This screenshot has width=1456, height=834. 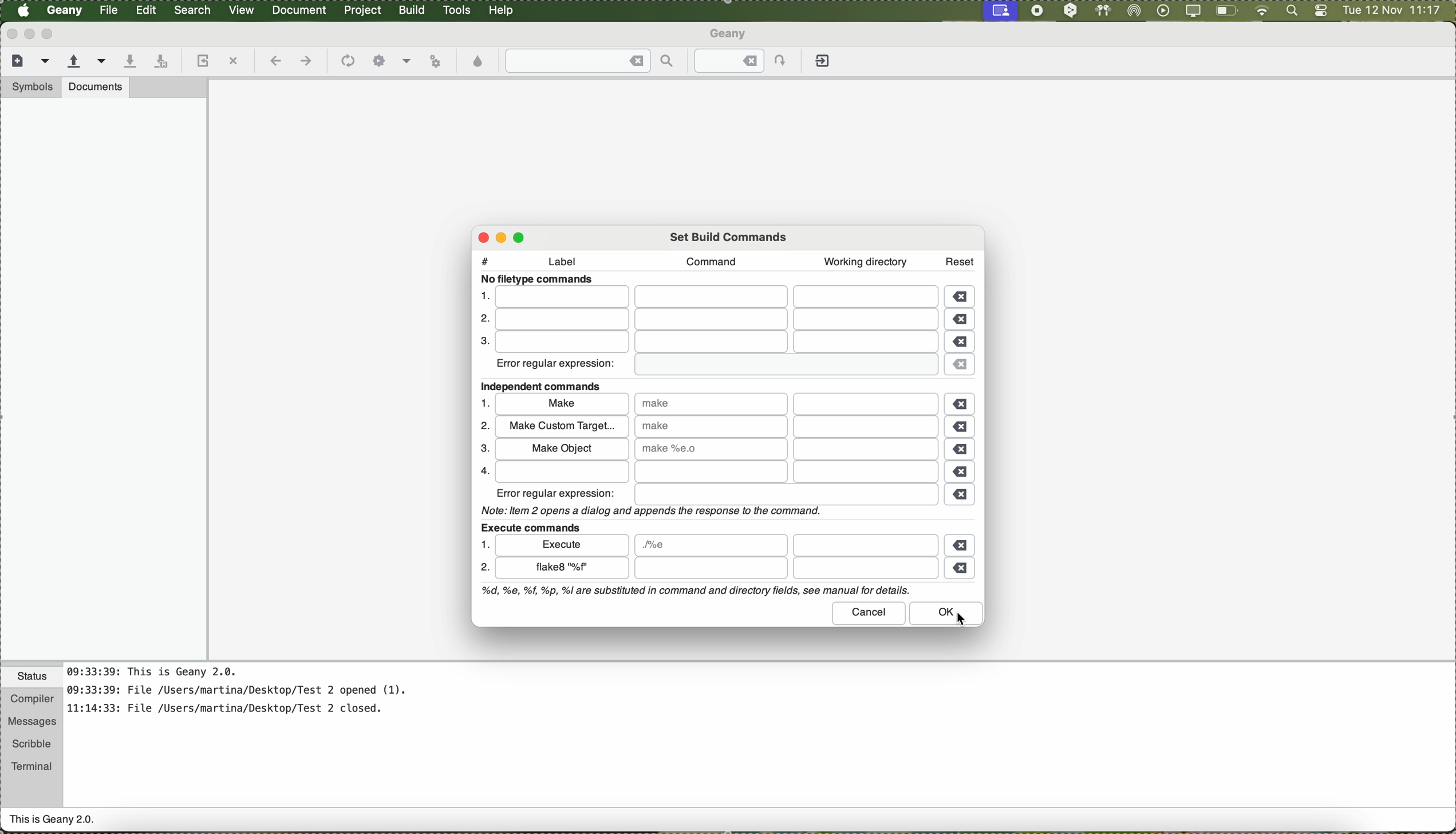 I want to click on play, so click(x=1161, y=10).